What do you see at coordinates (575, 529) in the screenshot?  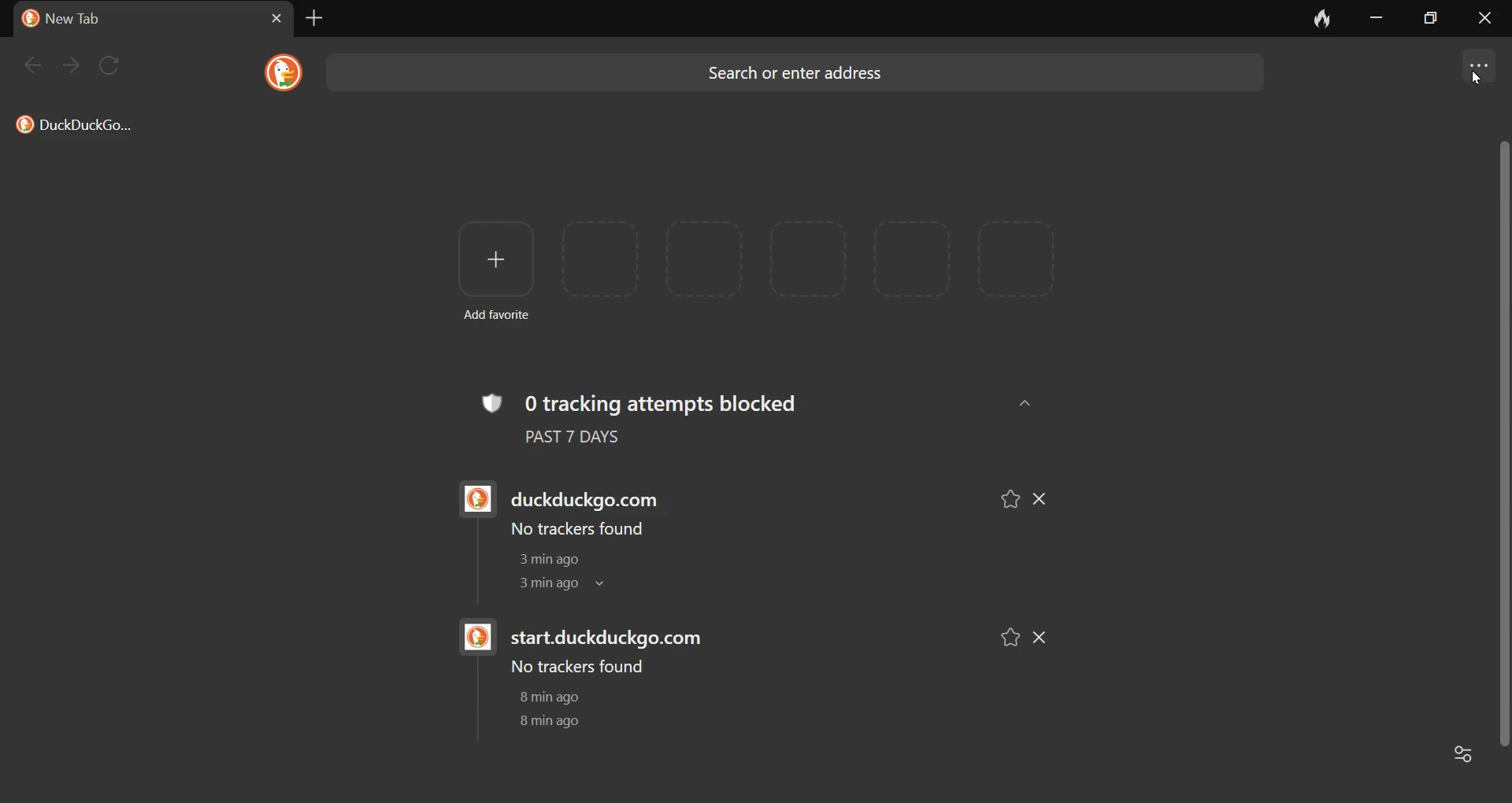 I see `No trackers found` at bounding box center [575, 529].